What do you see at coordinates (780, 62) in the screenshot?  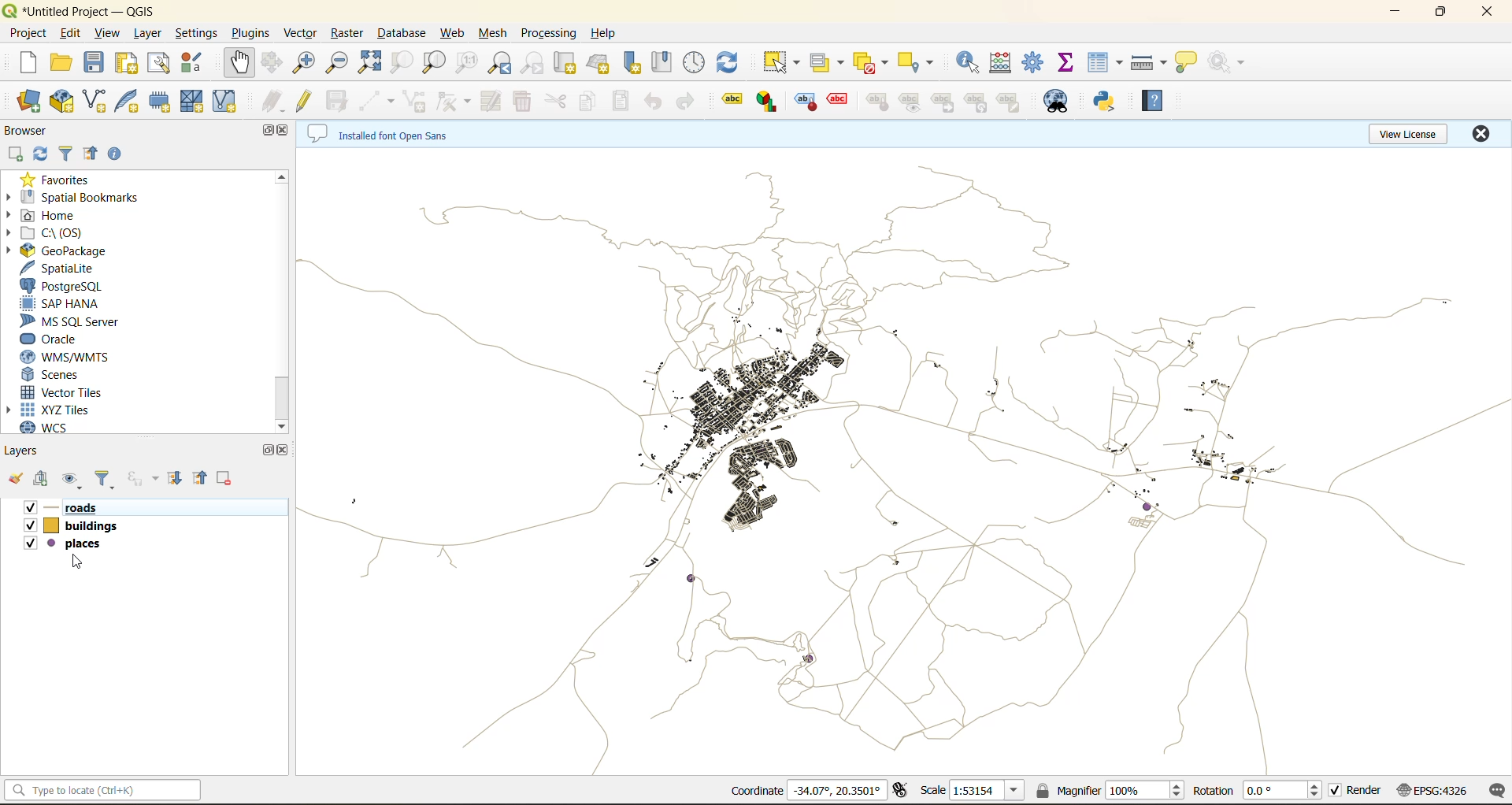 I see `select ` at bounding box center [780, 62].